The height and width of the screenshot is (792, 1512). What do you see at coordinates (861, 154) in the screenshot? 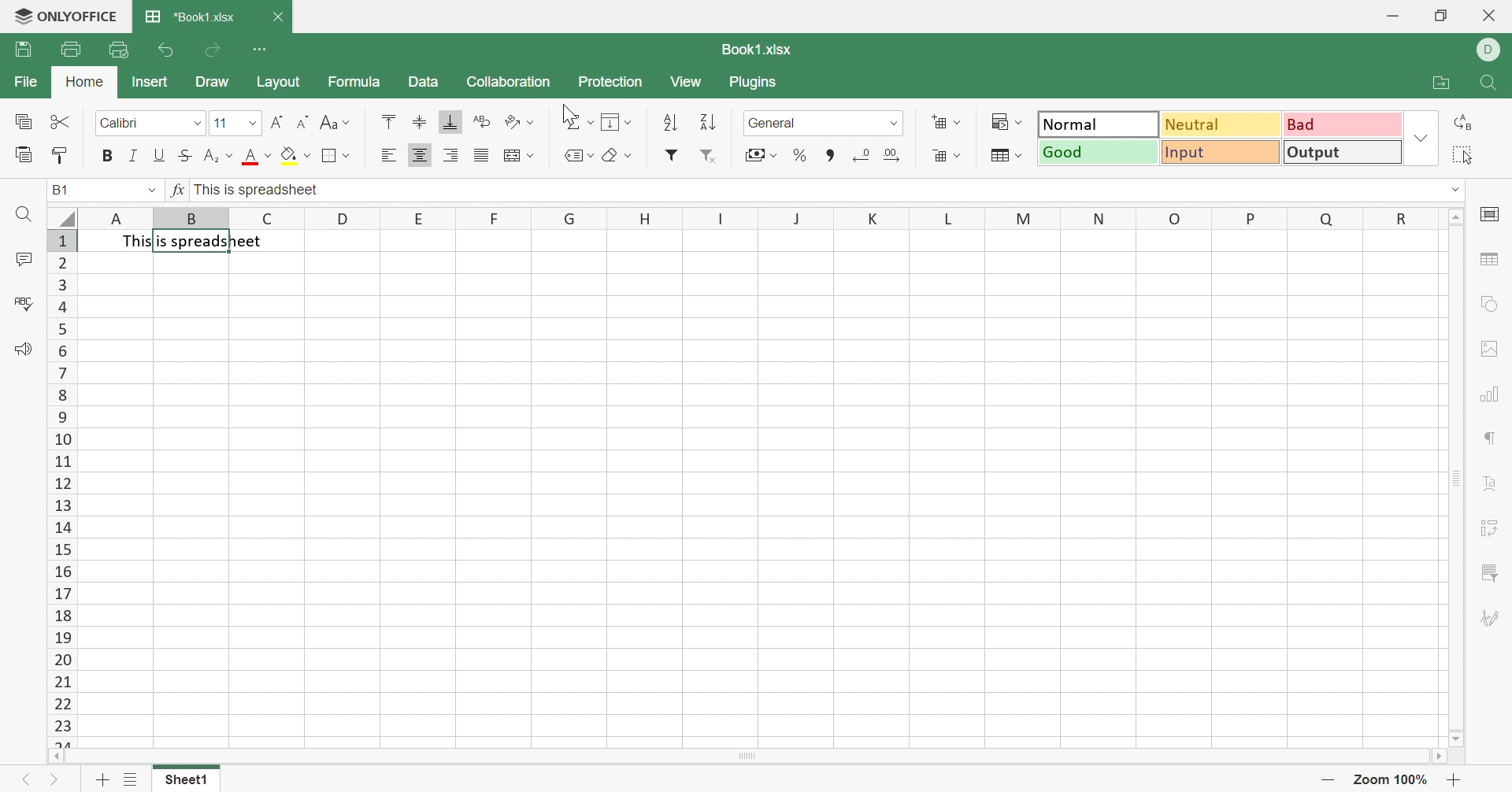
I see `Decrease decimal` at bounding box center [861, 154].